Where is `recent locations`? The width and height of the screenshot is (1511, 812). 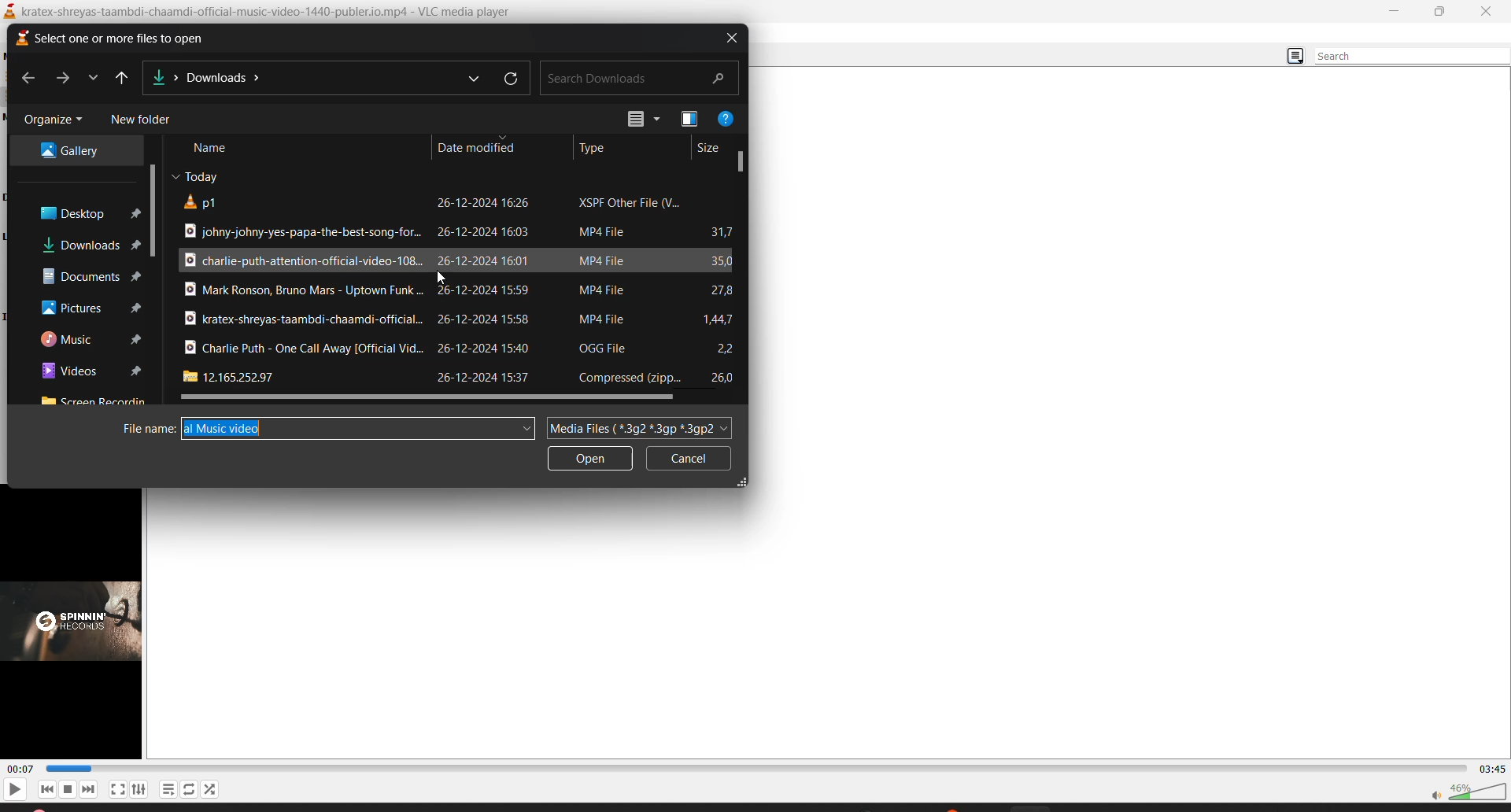
recent locations is located at coordinates (94, 79).